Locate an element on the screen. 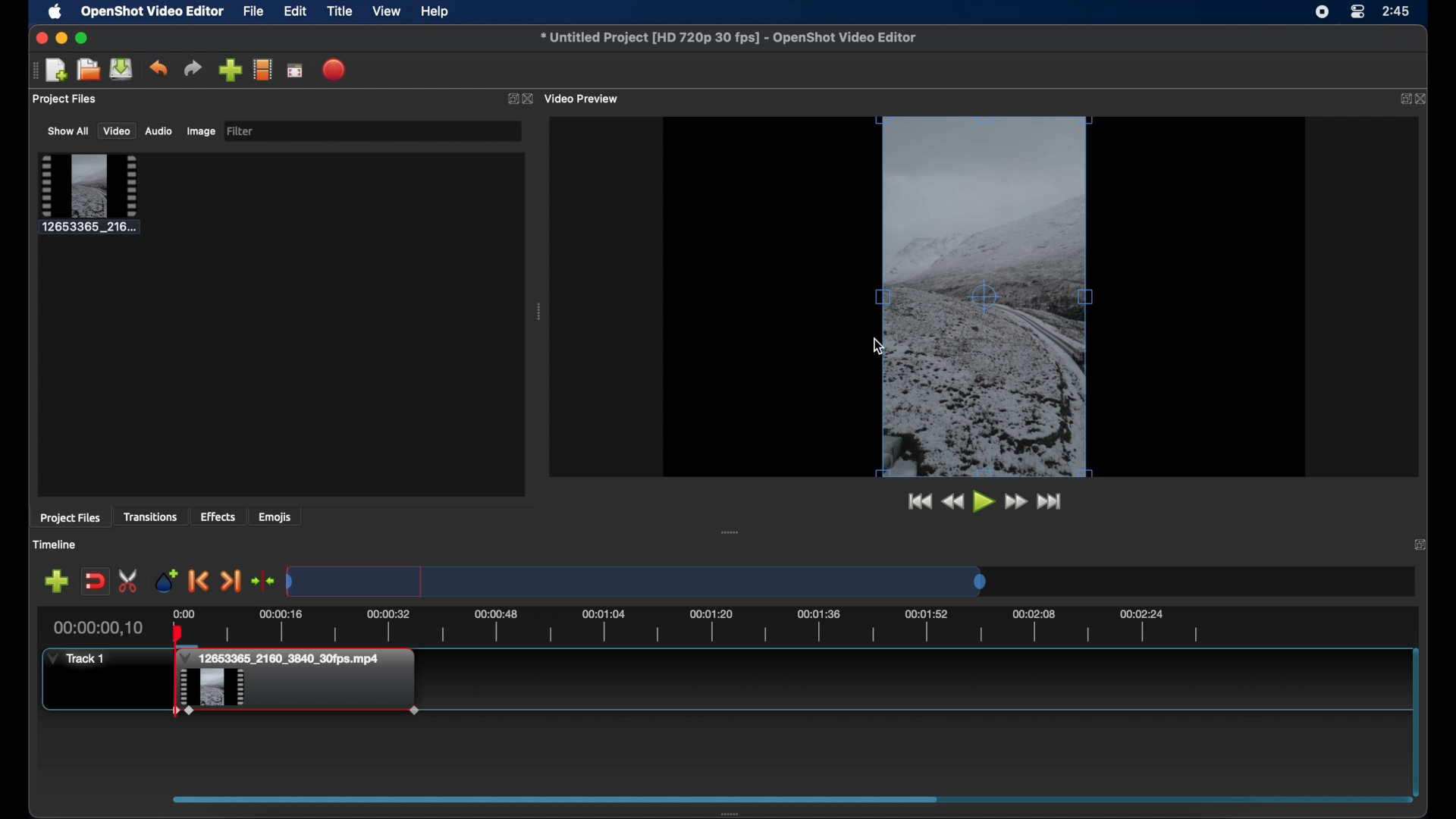 The height and width of the screenshot is (819, 1456). add track is located at coordinates (56, 582).